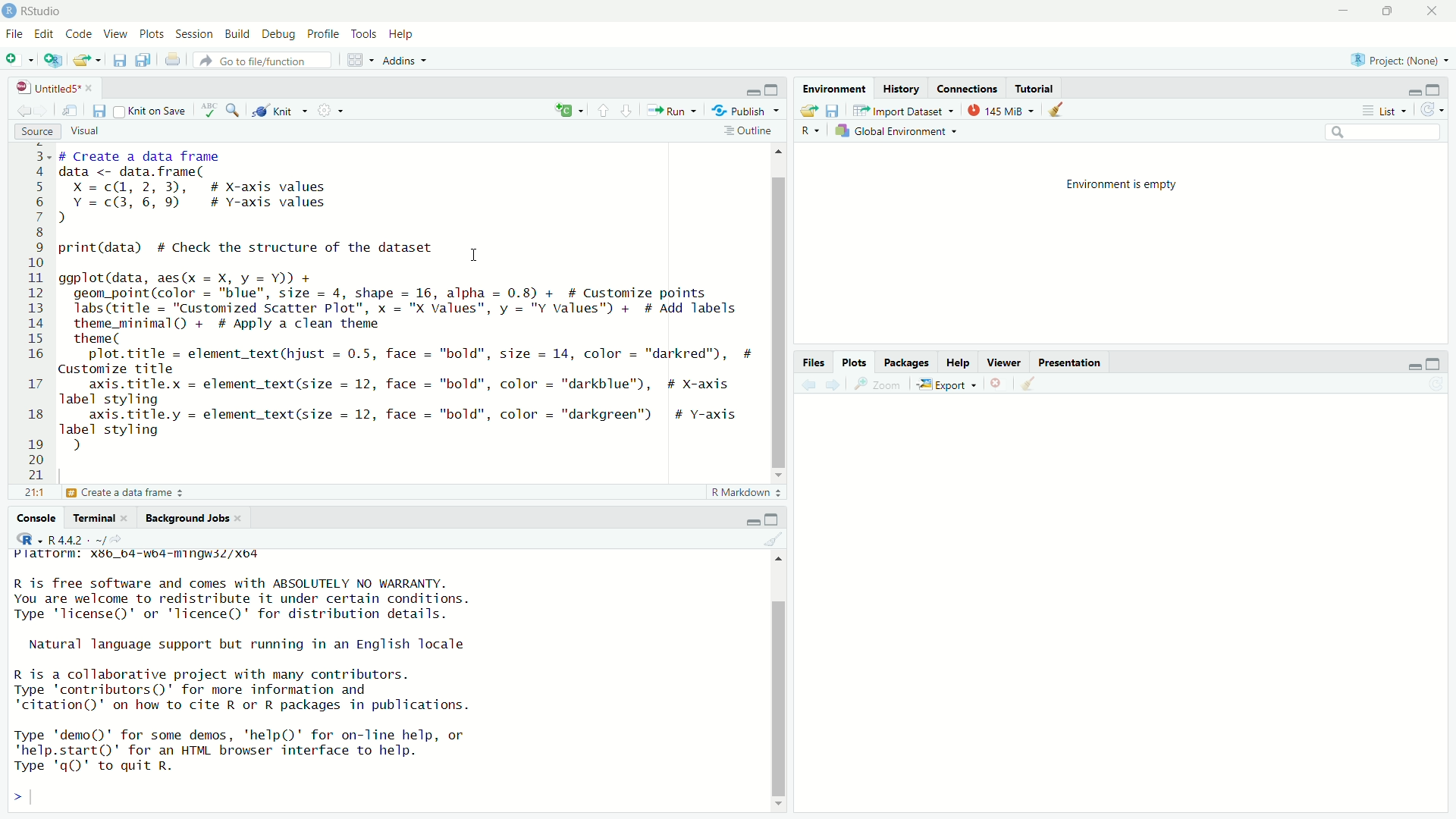  What do you see at coordinates (279, 35) in the screenshot?
I see `Debug` at bounding box center [279, 35].